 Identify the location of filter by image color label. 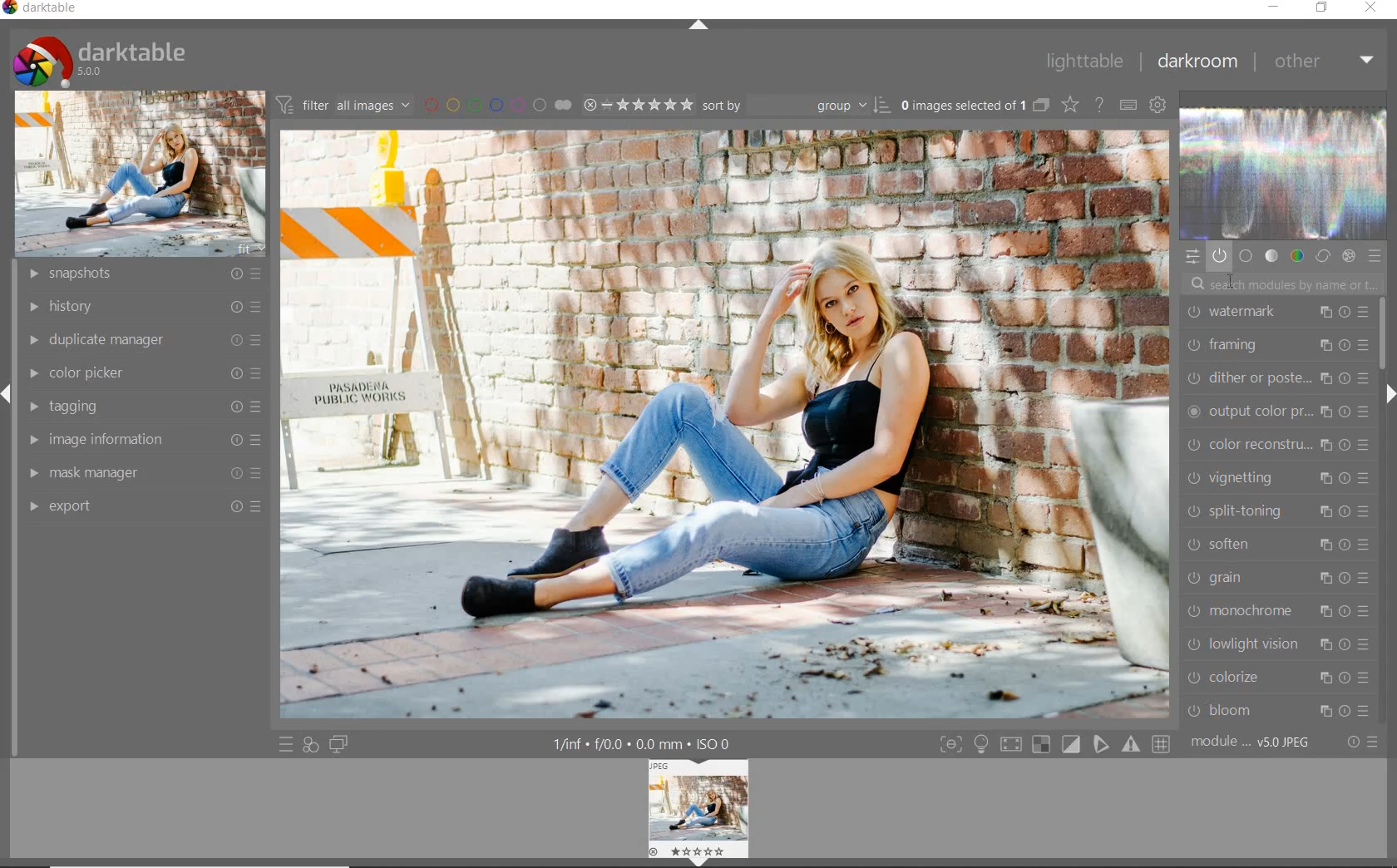
(497, 103).